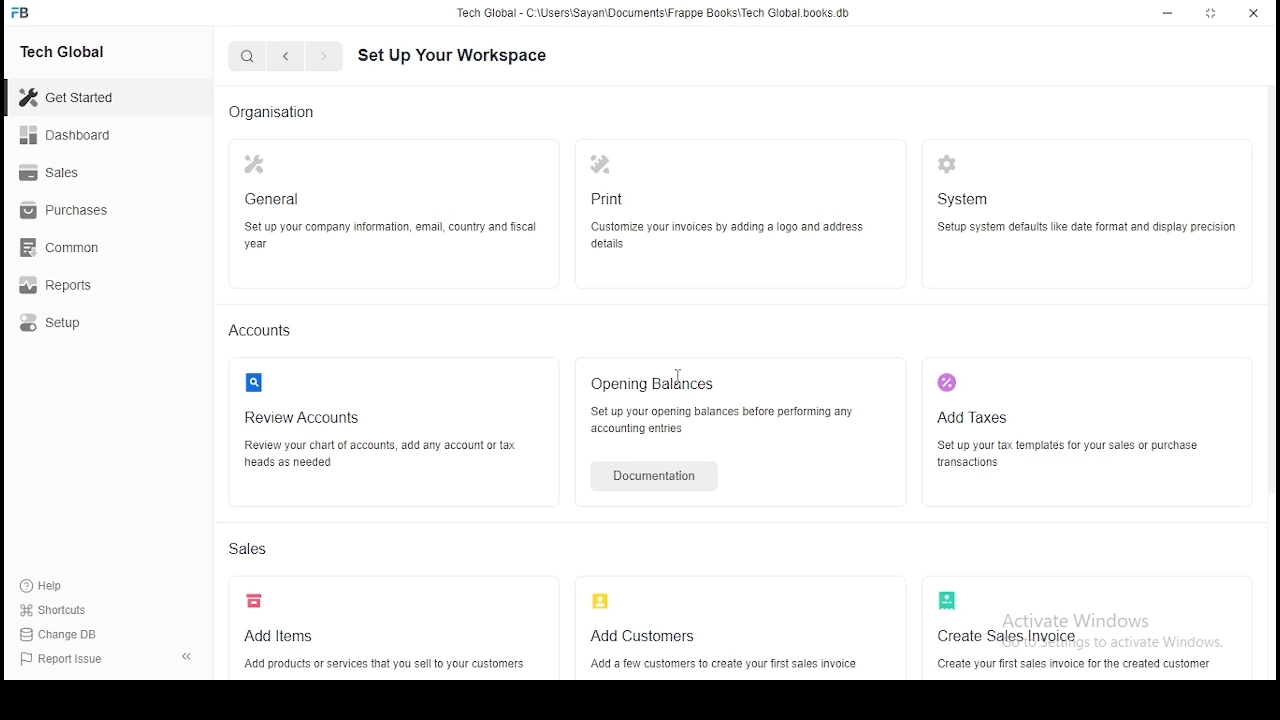 The image size is (1280, 720). I want to click on Frappe Books logo, so click(23, 13).